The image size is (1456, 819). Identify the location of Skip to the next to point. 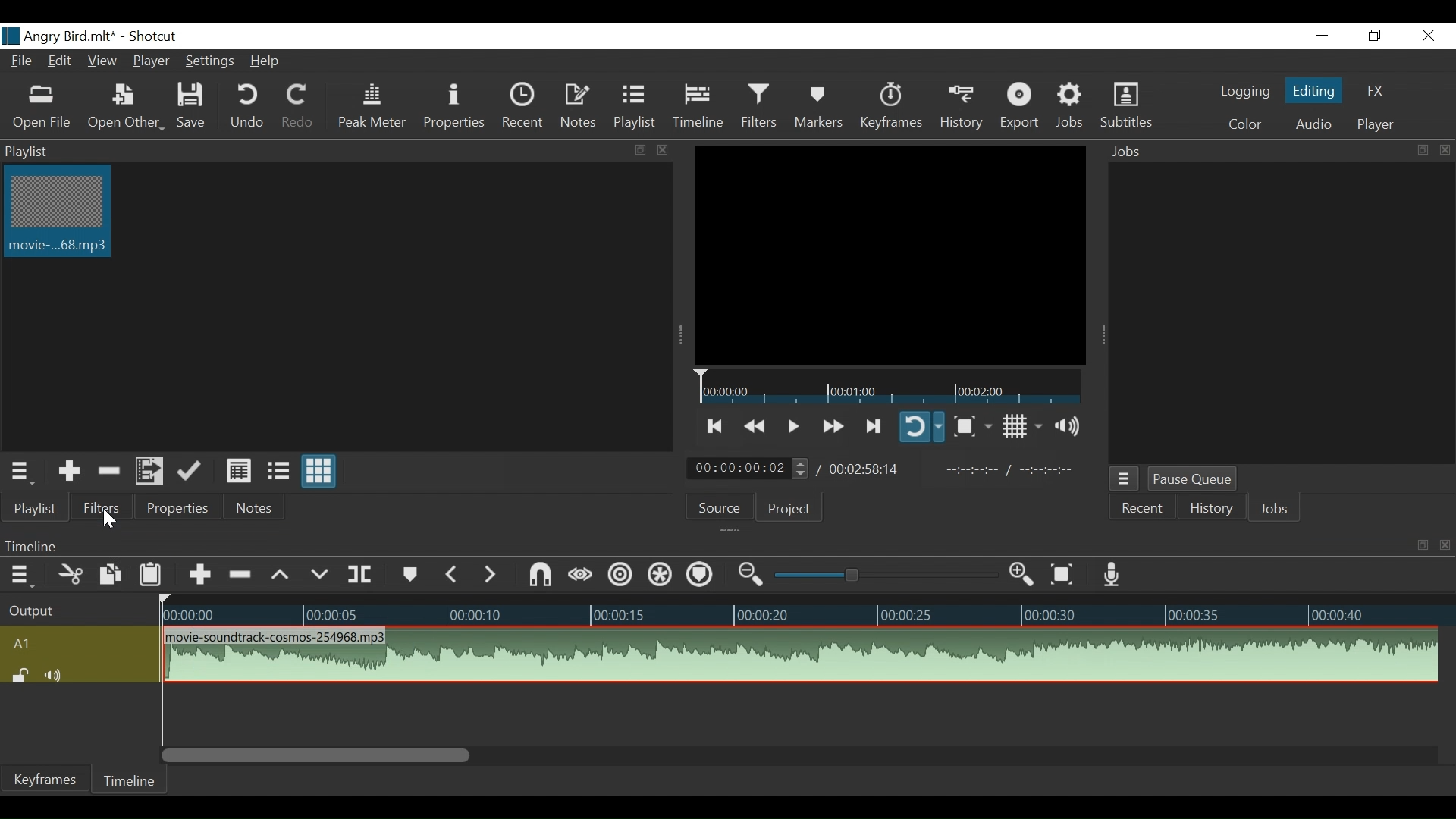
(716, 424).